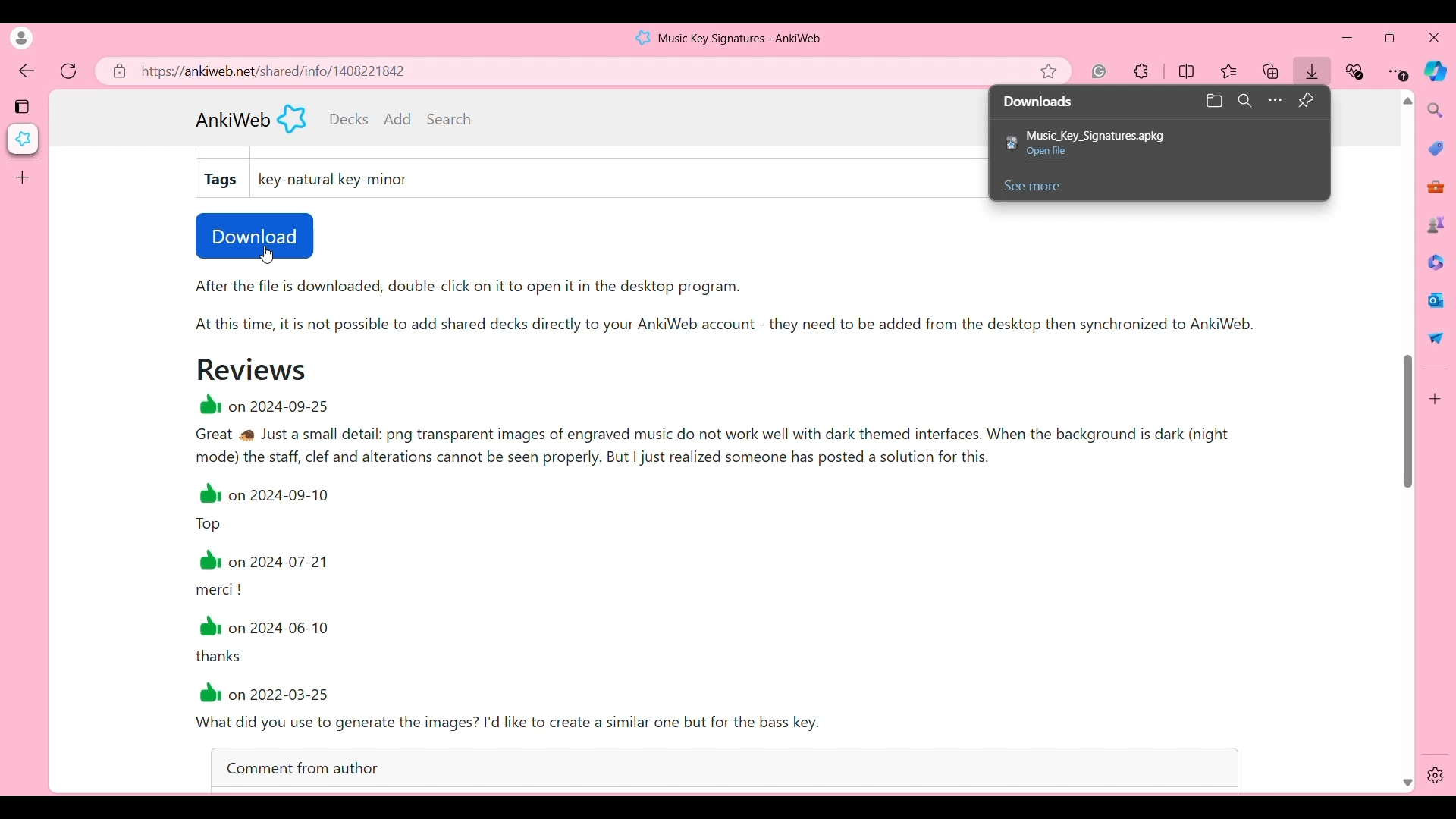 Image resolution: width=1456 pixels, height=819 pixels. What do you see at coordinates (1407, 783) in the screenshot?
I see `Quick slide to bottom` at bounding box center [1407, 783].